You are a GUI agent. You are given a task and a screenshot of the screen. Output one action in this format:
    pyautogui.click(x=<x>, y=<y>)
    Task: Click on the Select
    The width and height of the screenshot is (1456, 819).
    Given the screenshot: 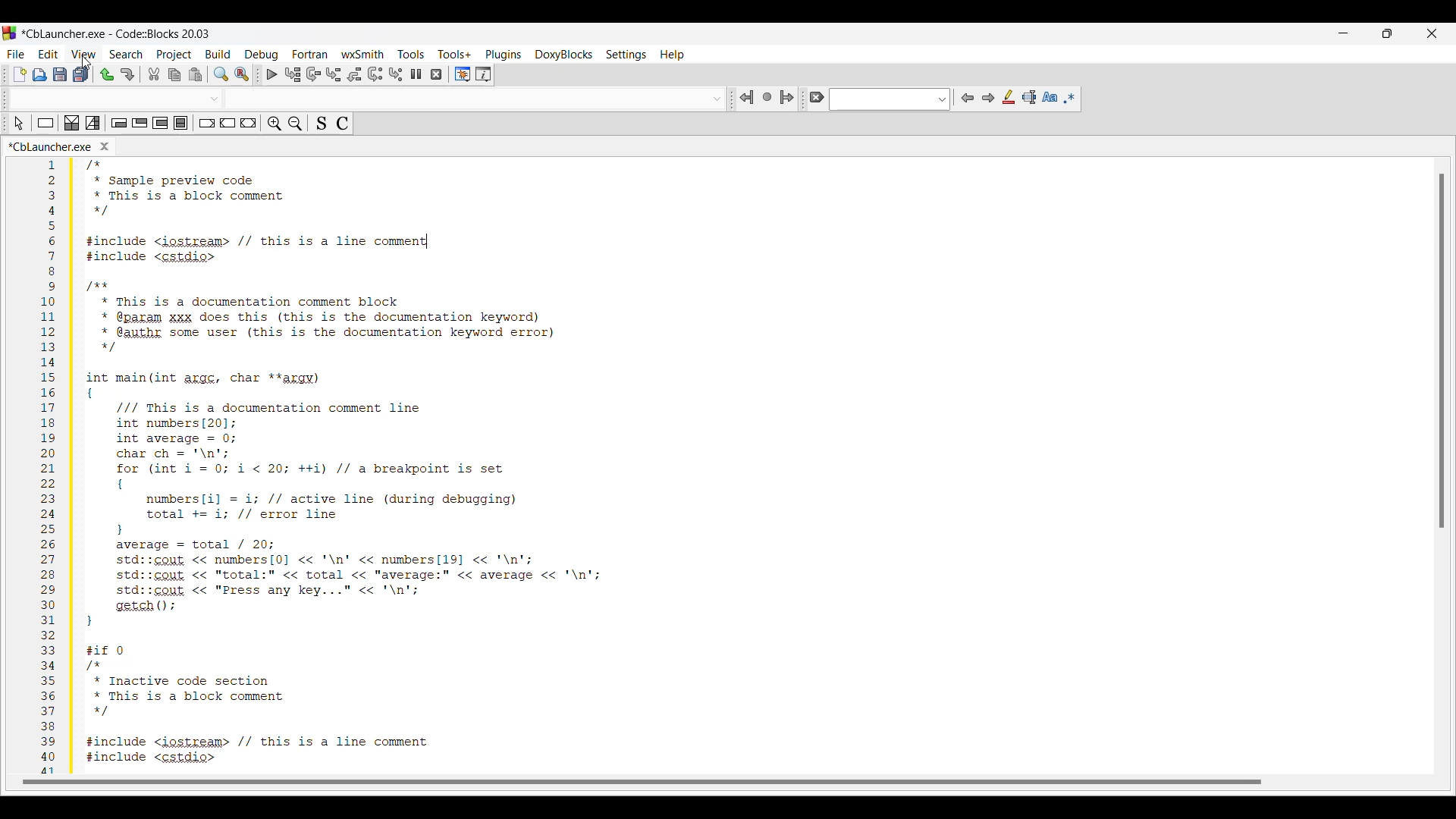 What is the action you would take?
    pyautogui.click(x=18, y=123)
    